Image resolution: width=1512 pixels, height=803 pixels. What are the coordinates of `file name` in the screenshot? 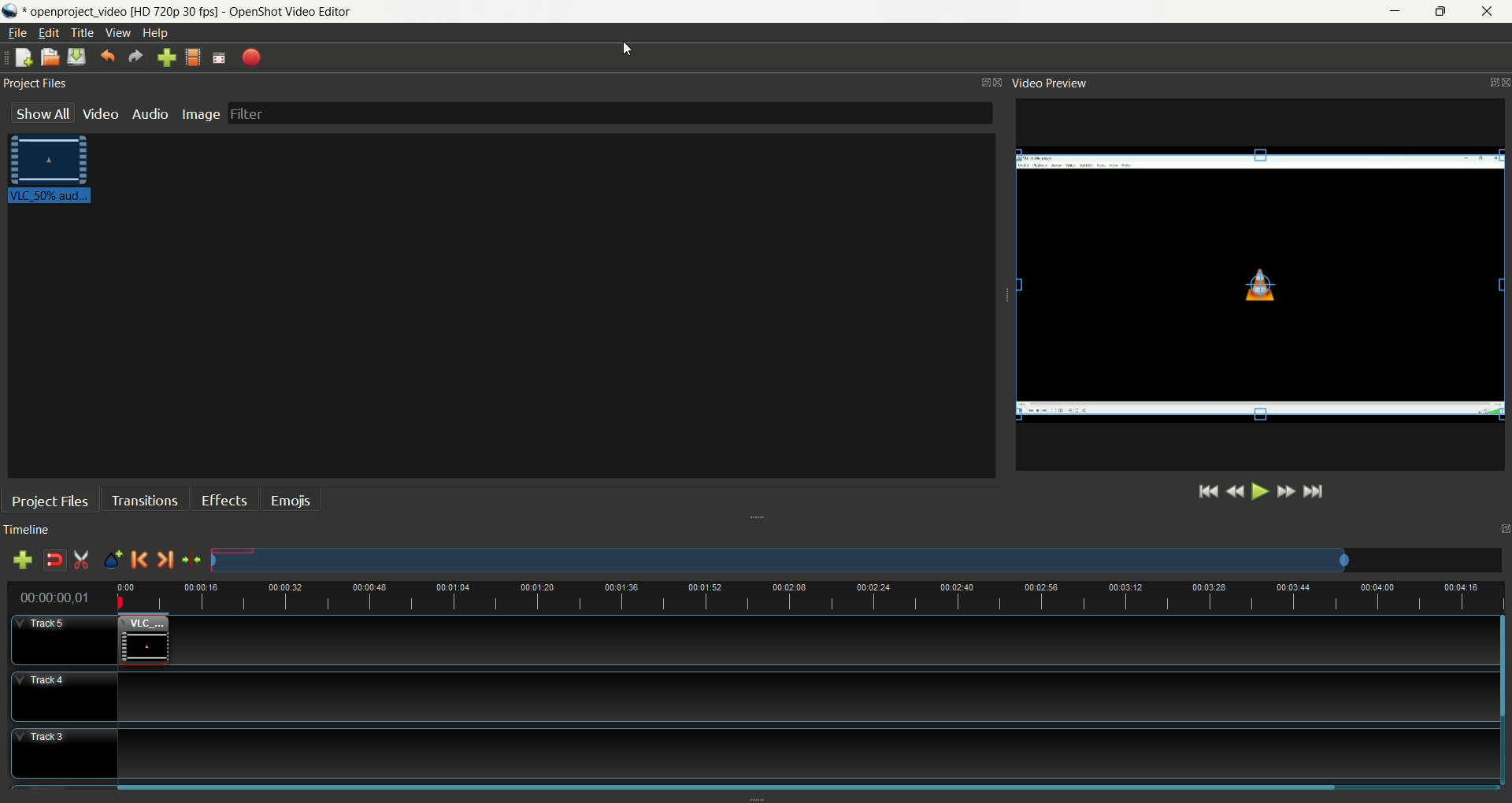 It's located at (187, 11).